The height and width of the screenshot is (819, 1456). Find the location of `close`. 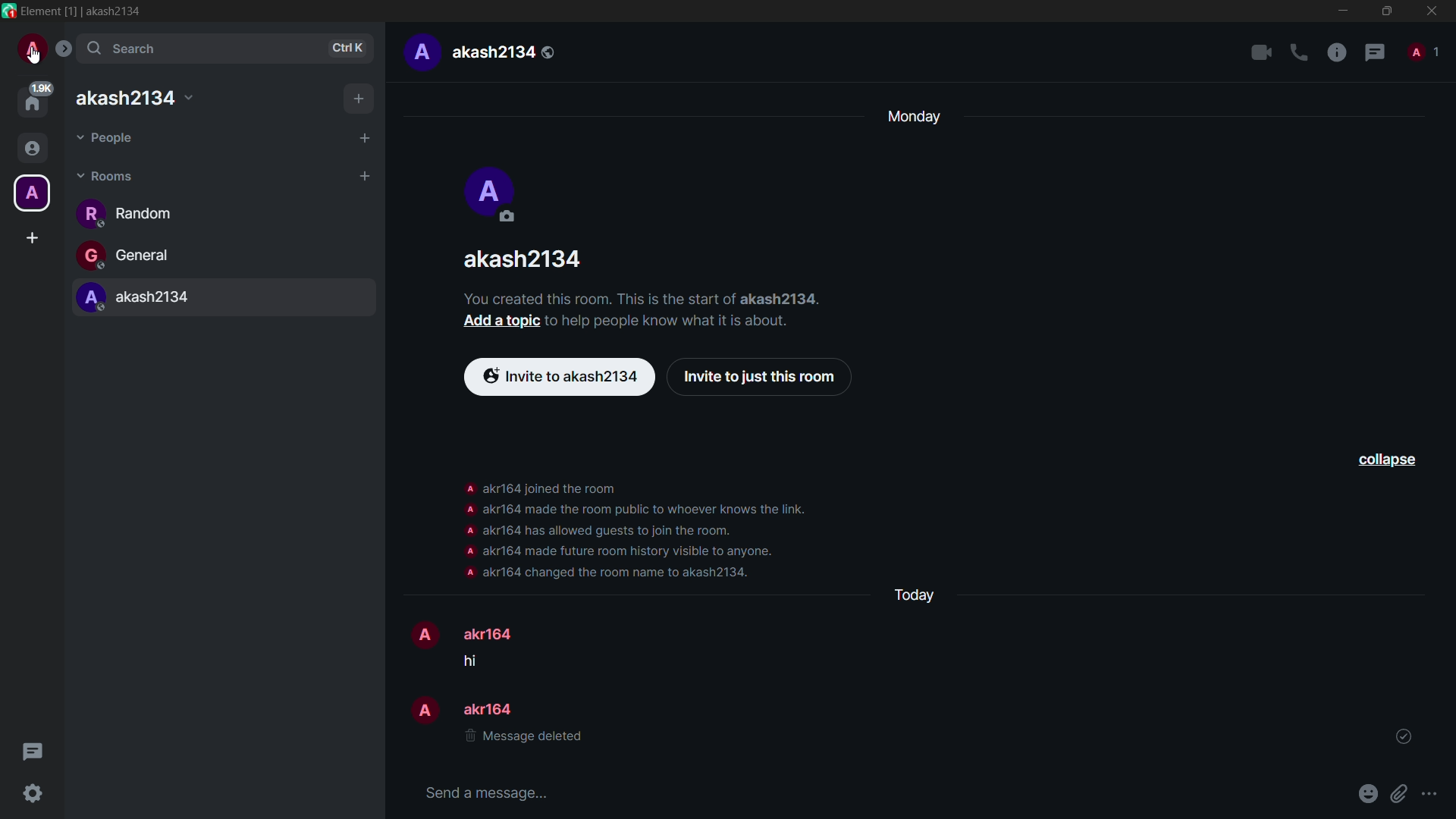

close is located at coordinates (1432, 11).